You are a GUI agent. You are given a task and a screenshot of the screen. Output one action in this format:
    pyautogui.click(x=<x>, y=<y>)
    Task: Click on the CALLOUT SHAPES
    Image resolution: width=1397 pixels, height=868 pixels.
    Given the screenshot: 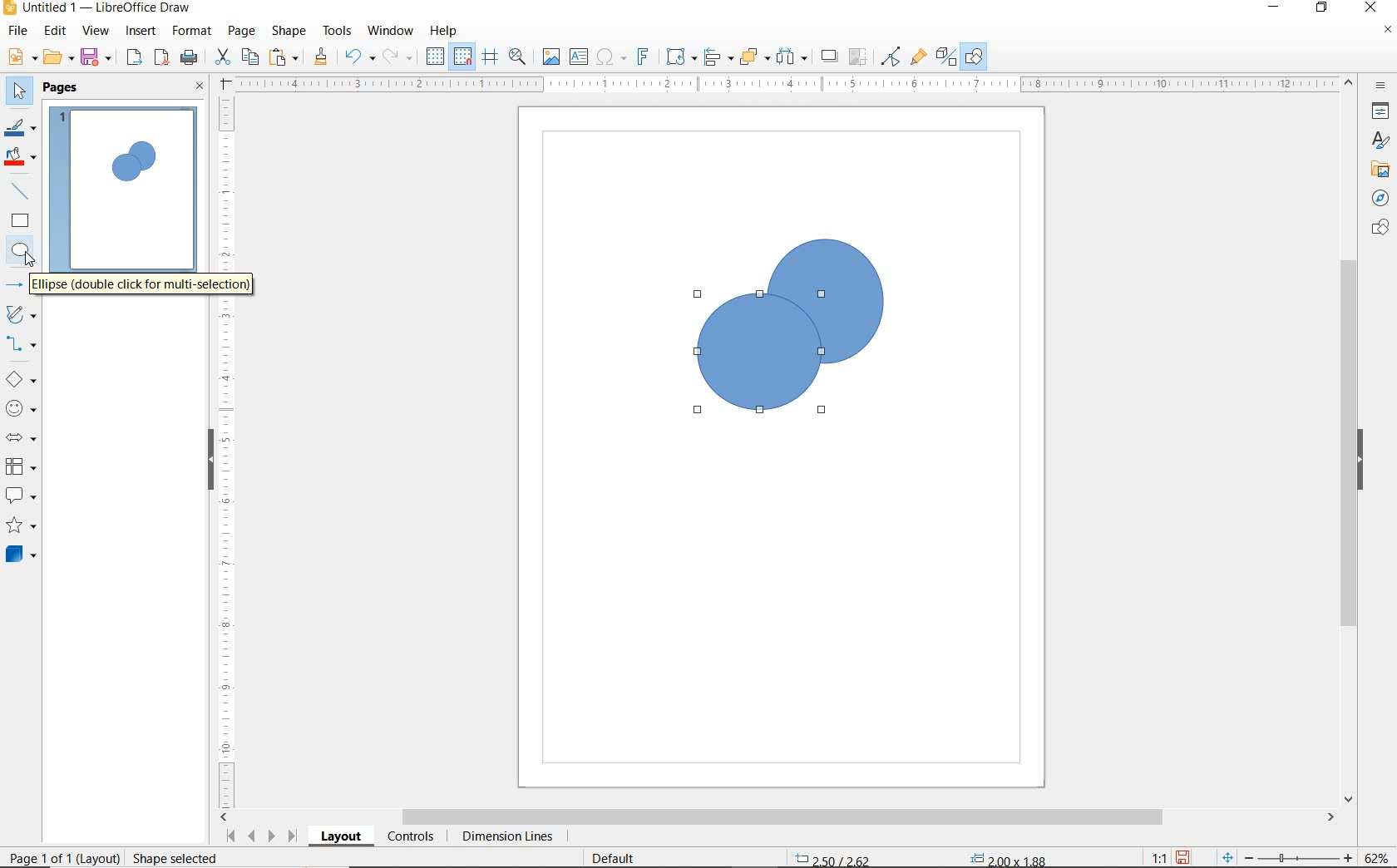 What is the action you would take?
    pyautogui.click(x=20, y=496)
    